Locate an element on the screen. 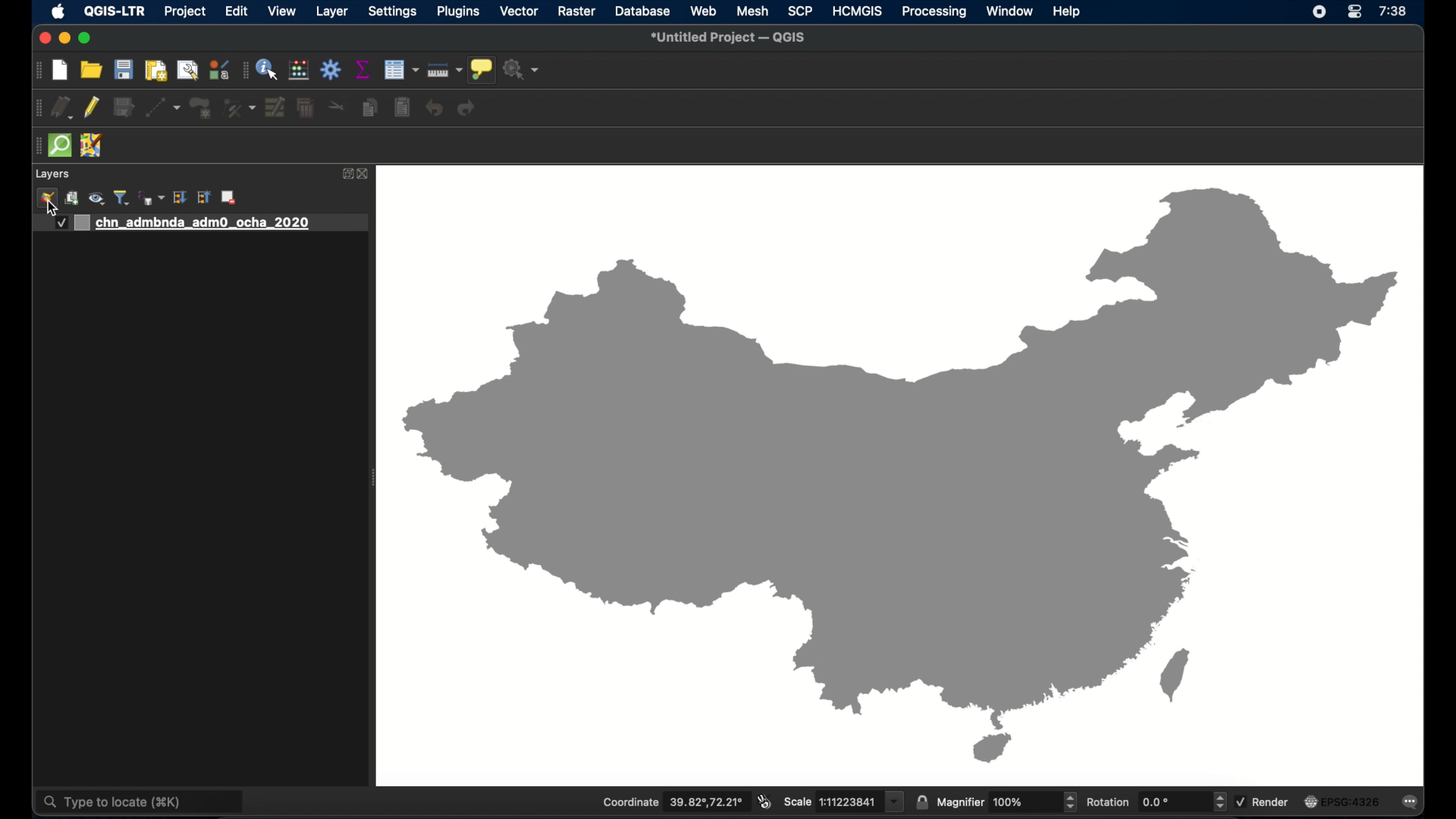  close is located at coordinates (44, 39).